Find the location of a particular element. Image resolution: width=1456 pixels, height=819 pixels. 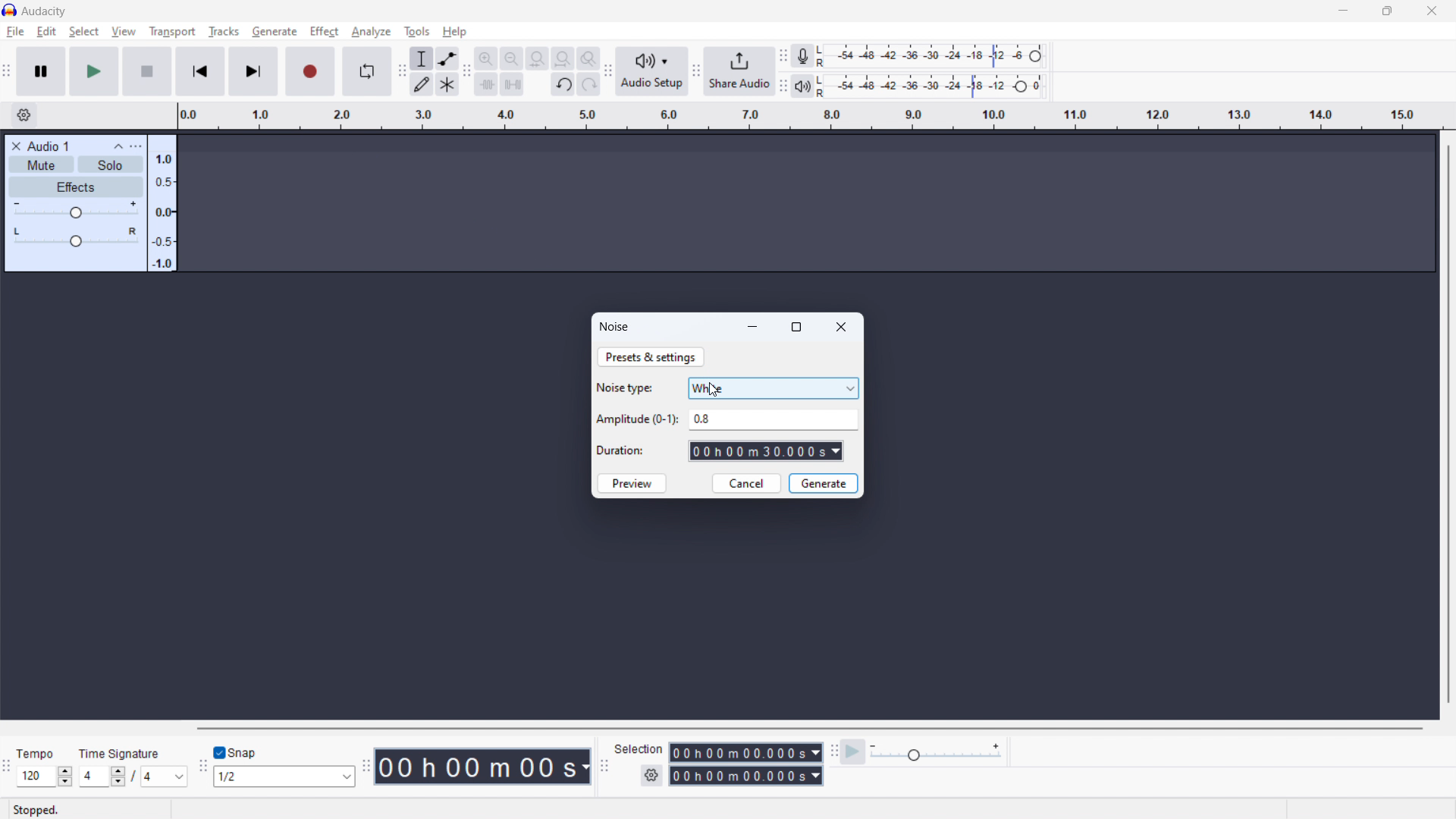

edit toolbar is located at coordinates (467, 72).